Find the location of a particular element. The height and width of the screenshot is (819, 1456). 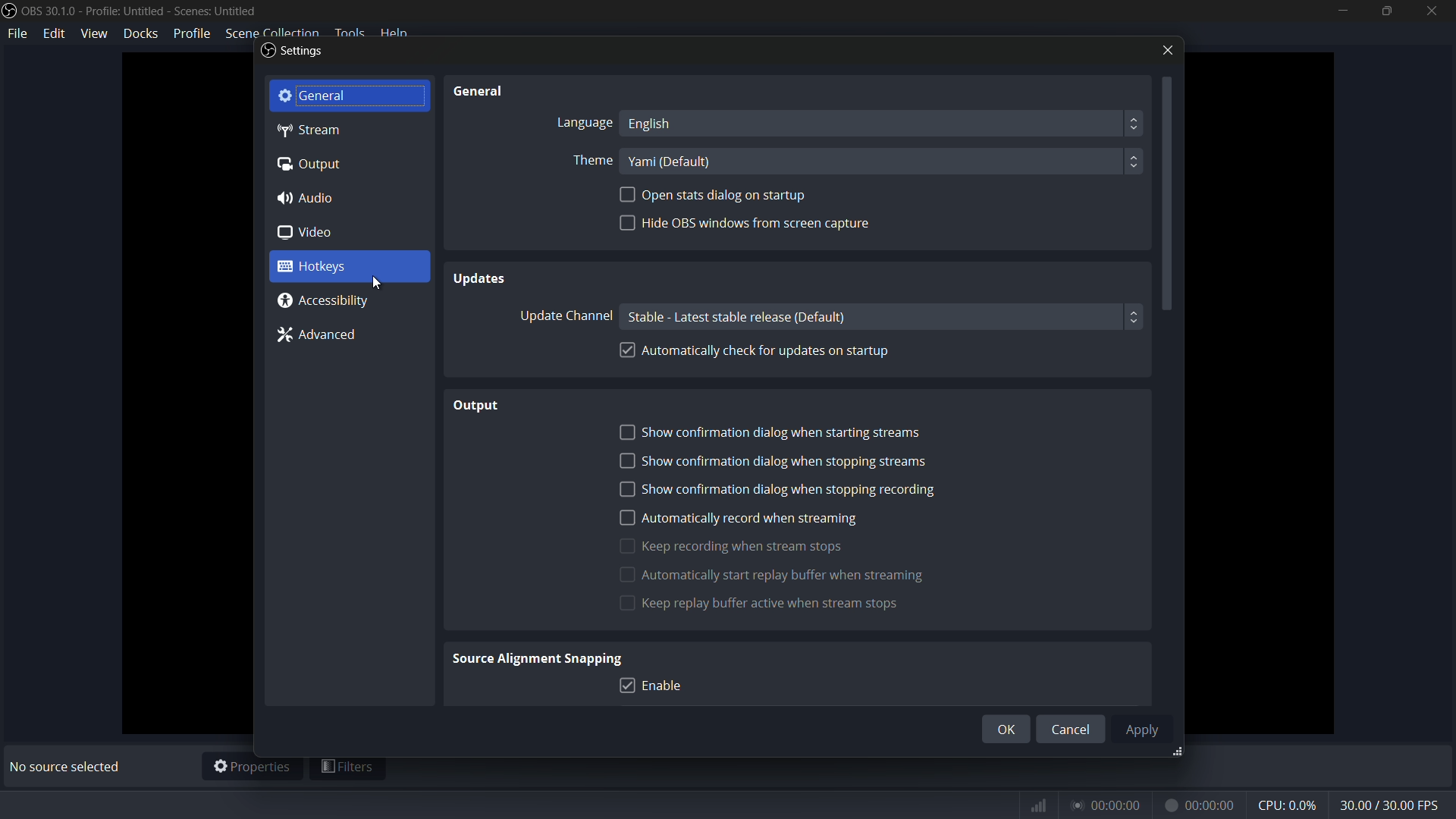

show confirmation dialog when starting streams is located at coordinates (770, 434).